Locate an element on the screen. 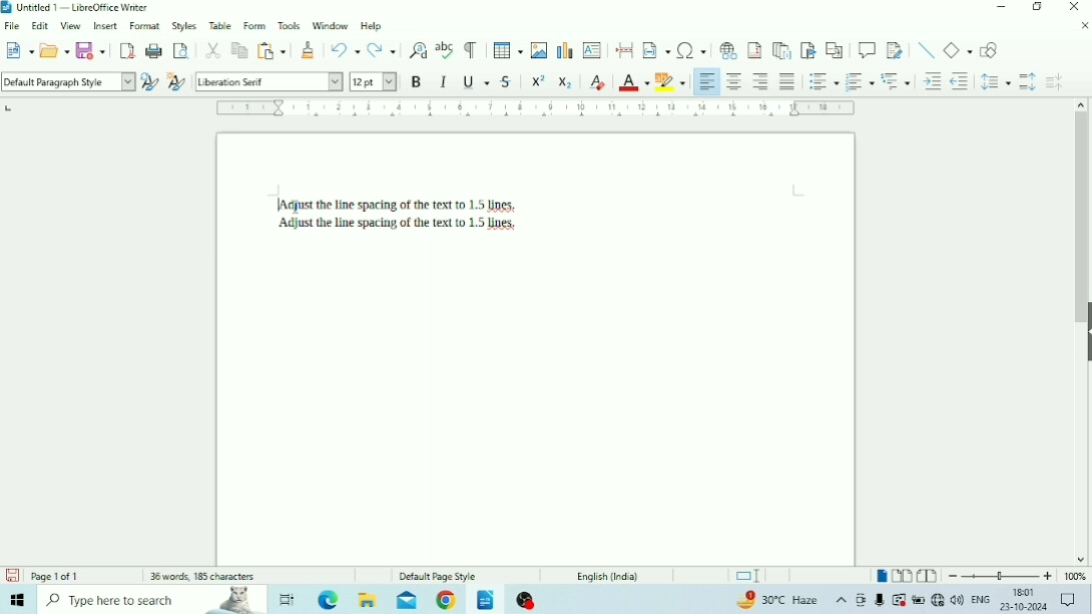 Image resolution: width=1092 pixels, height=614 pixels. Help is located at coordinates (372, 26).